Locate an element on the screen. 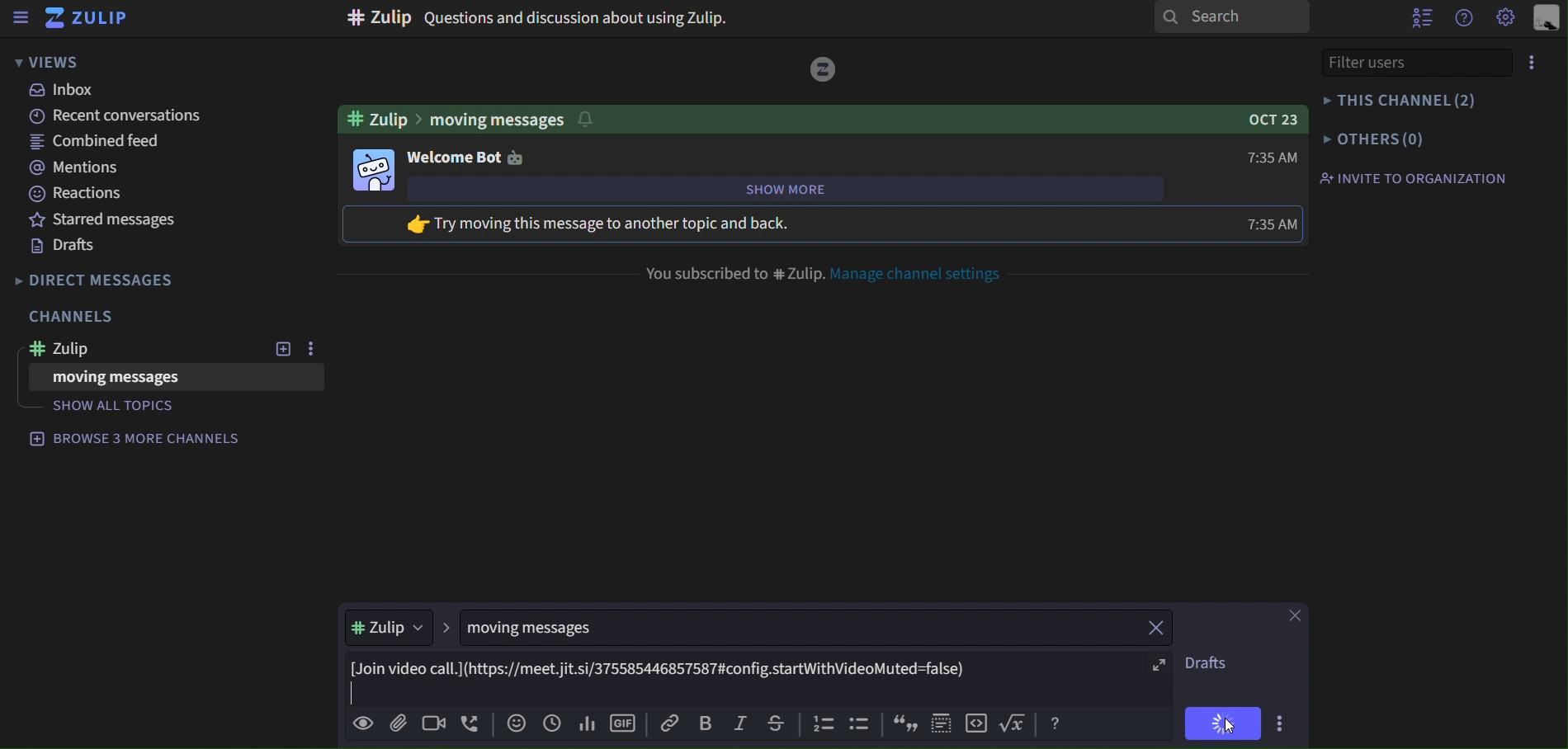 The width and height of the screenshot is (1568, 749). add voicecall is located at coordinates (470, 725).